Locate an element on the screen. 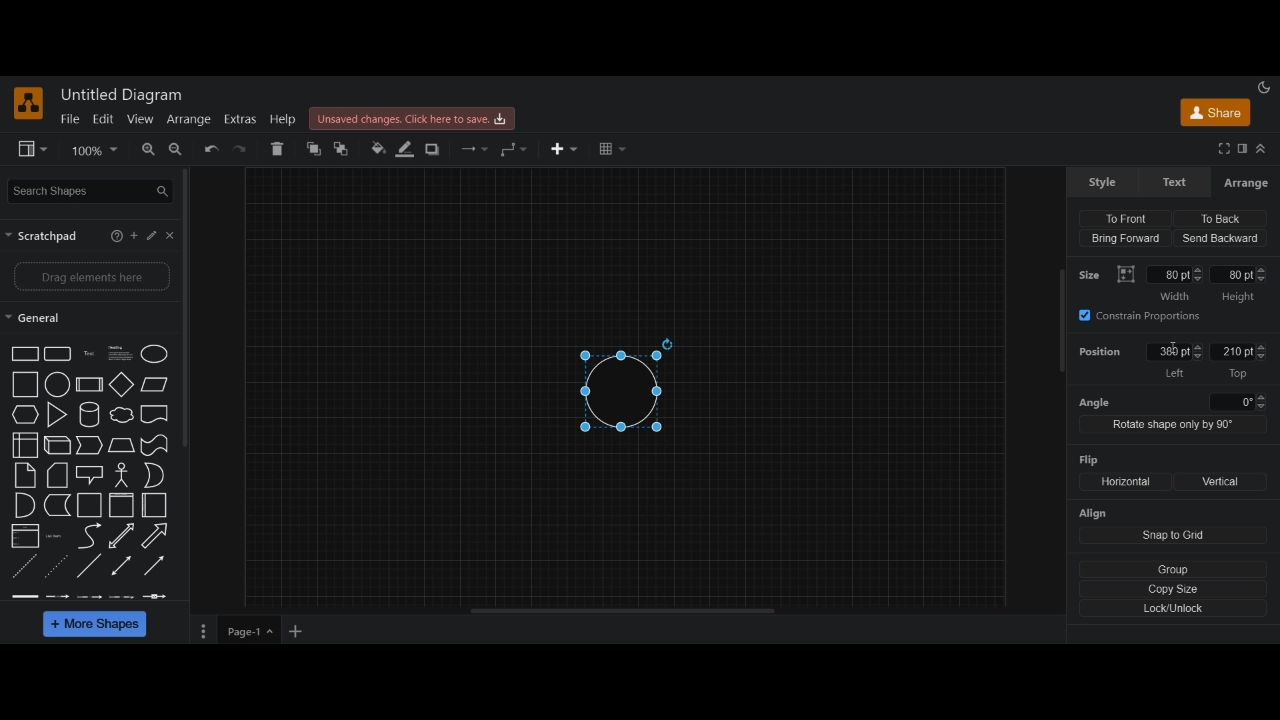 The image size is (1280, 720). waypoints is located at coordinates (514, 149).